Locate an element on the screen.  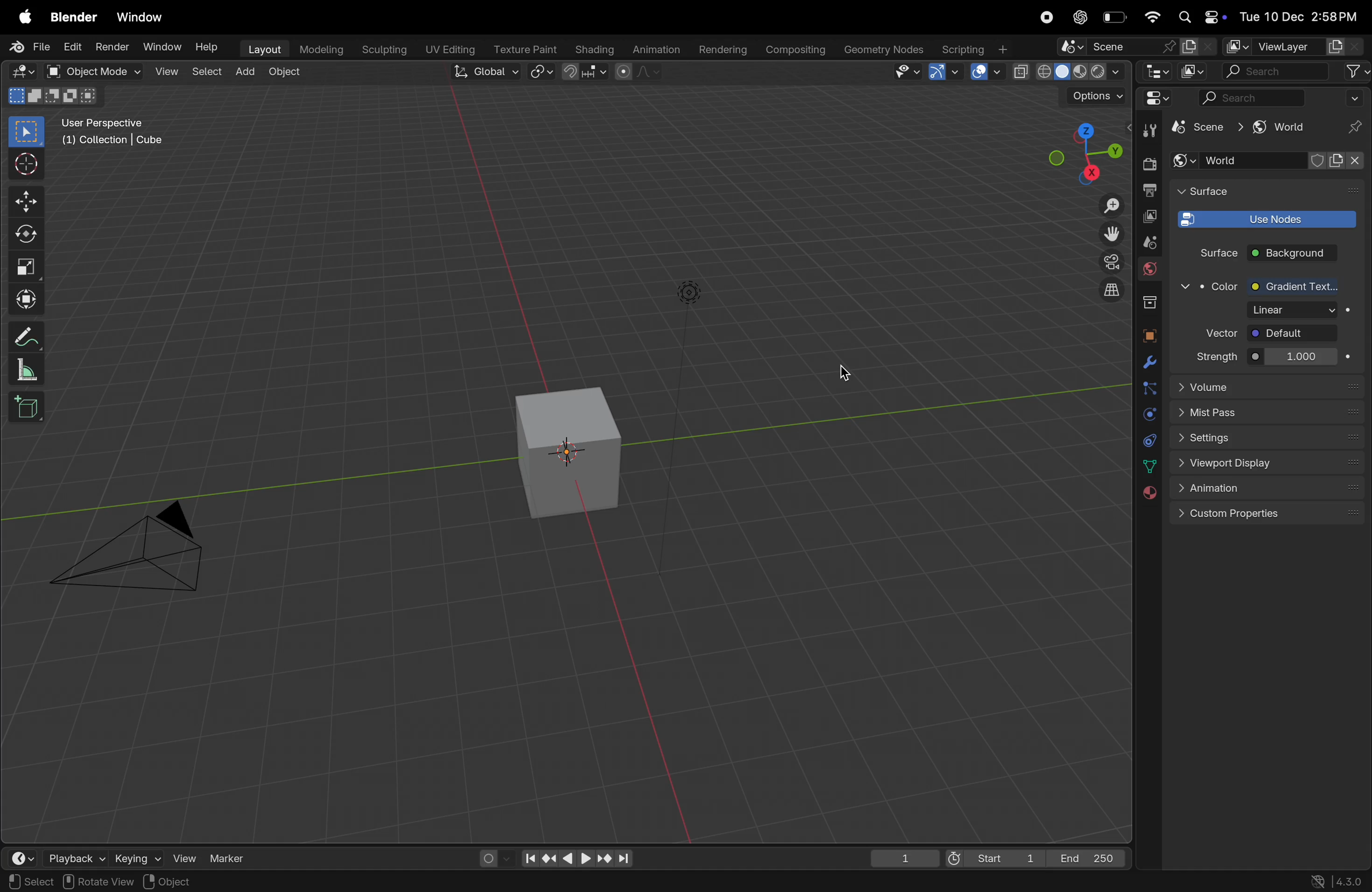
Surface is located at coordinates (1220, 191).